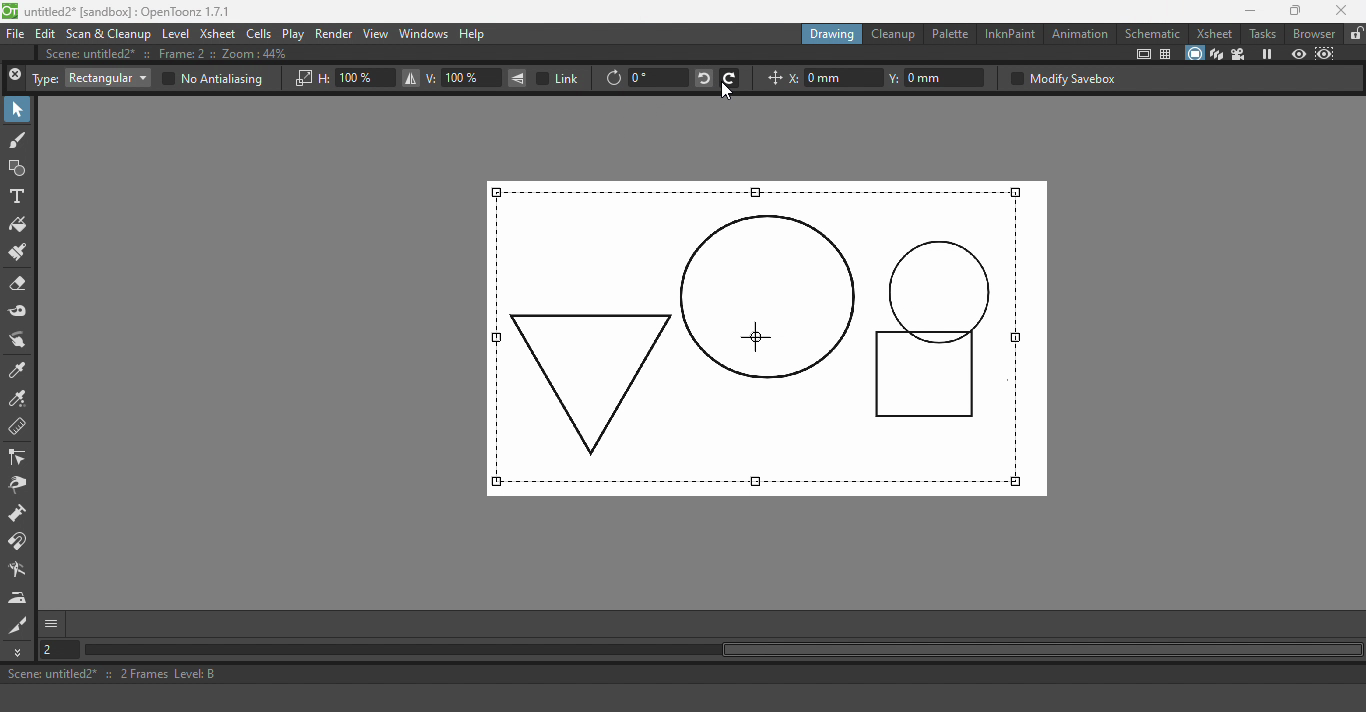  Describe the element at coordinates (18, 515) in the screenshot. I see `Pump tool` at that location.